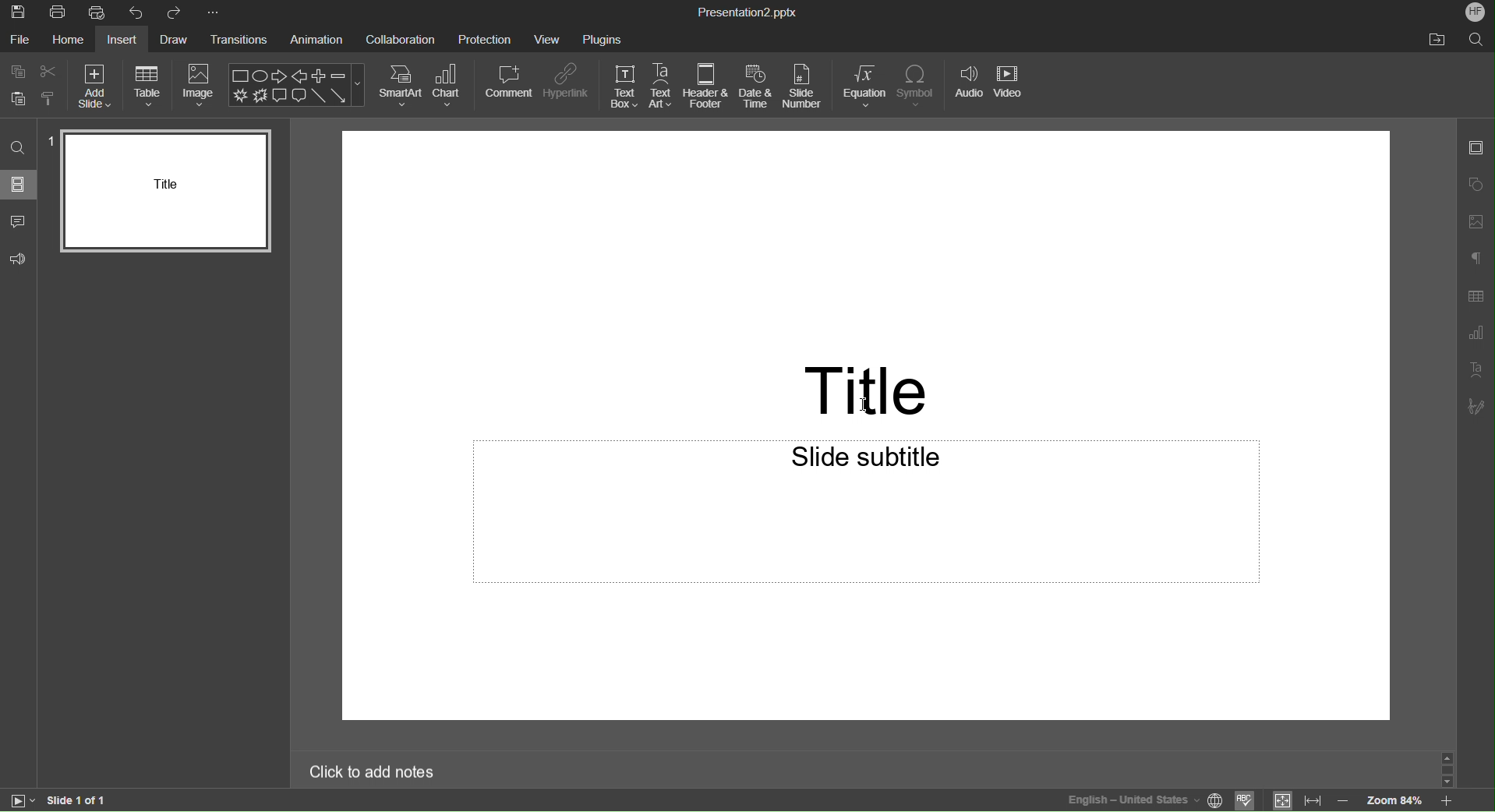  I want to click on Copy, so click(16, 72).